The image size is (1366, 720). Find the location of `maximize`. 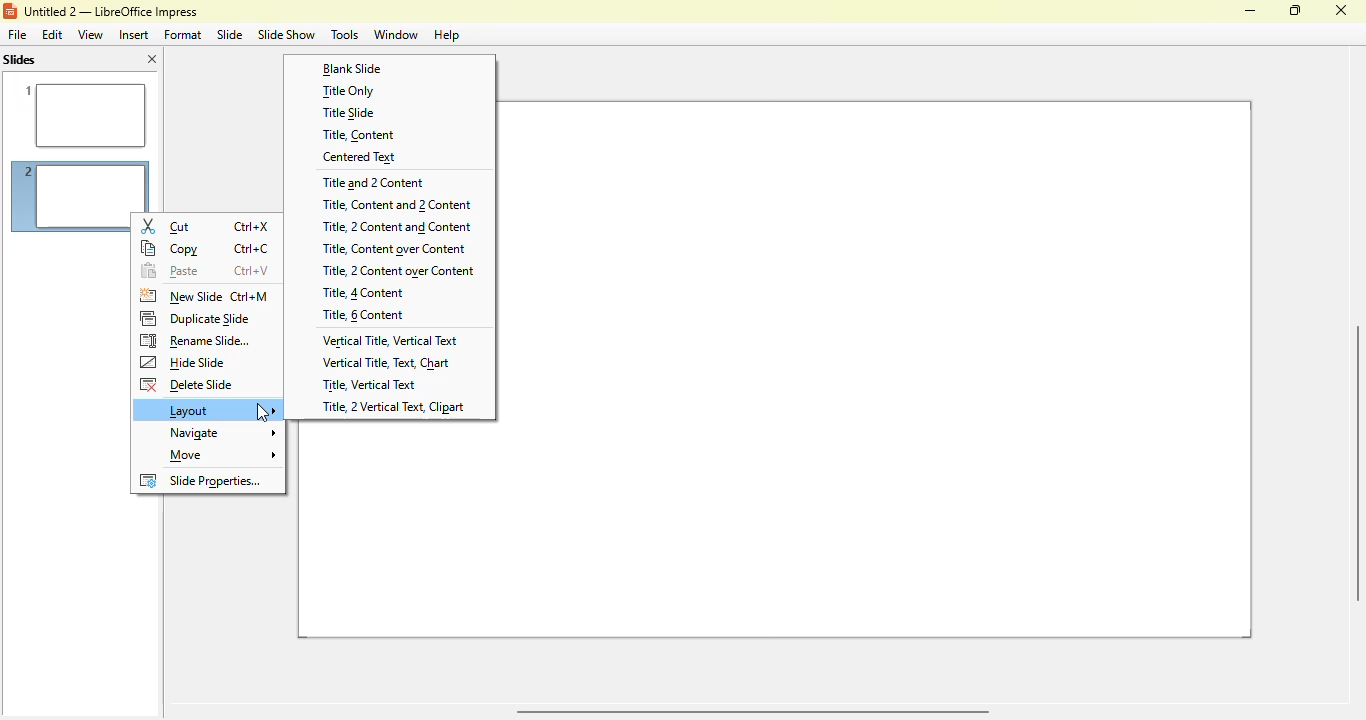

maximize is located at coordinates (1296, 10).